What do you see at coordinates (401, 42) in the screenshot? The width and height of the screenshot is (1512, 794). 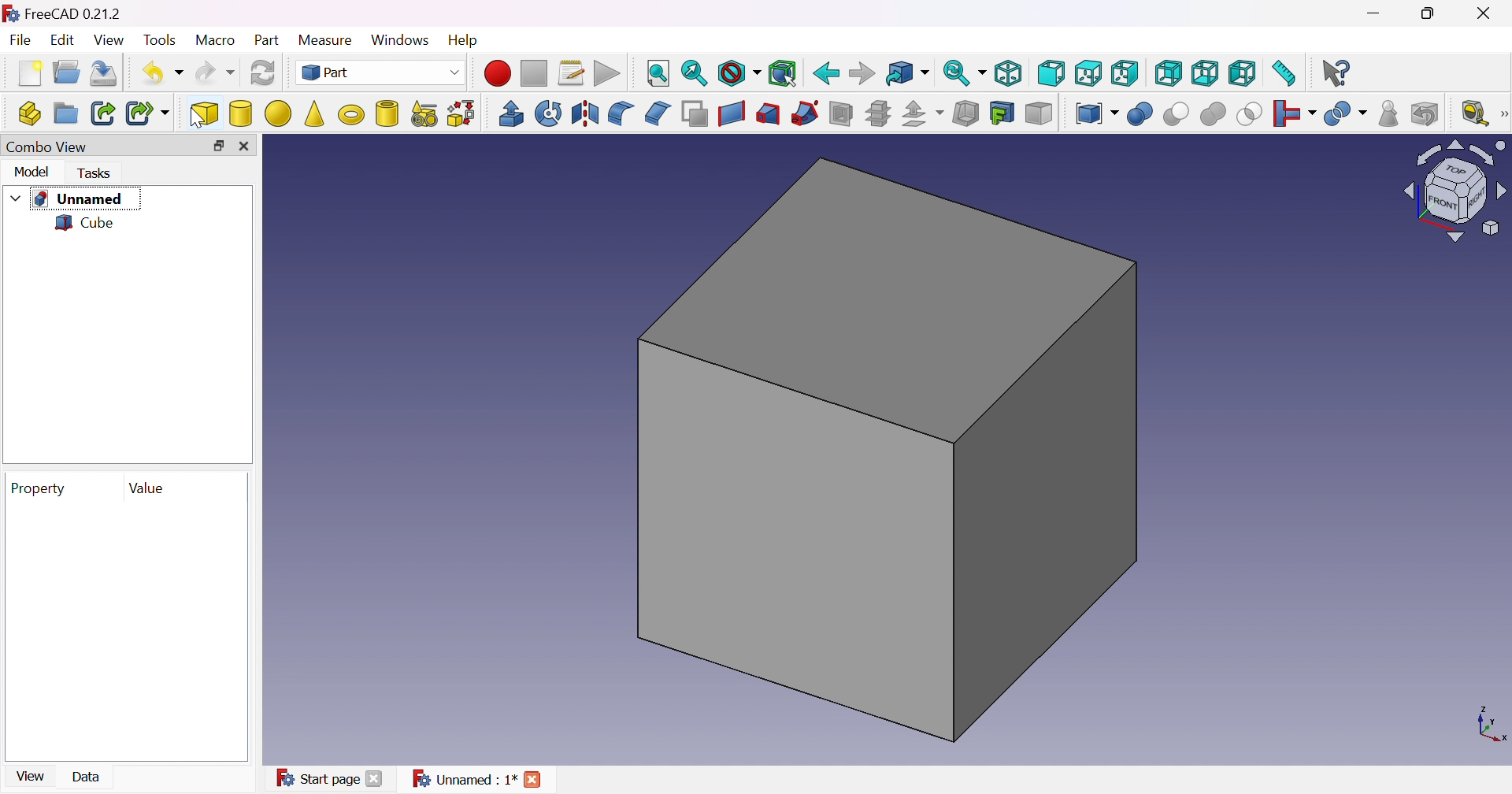 I see `Windows` at bounding box center [401, 42].